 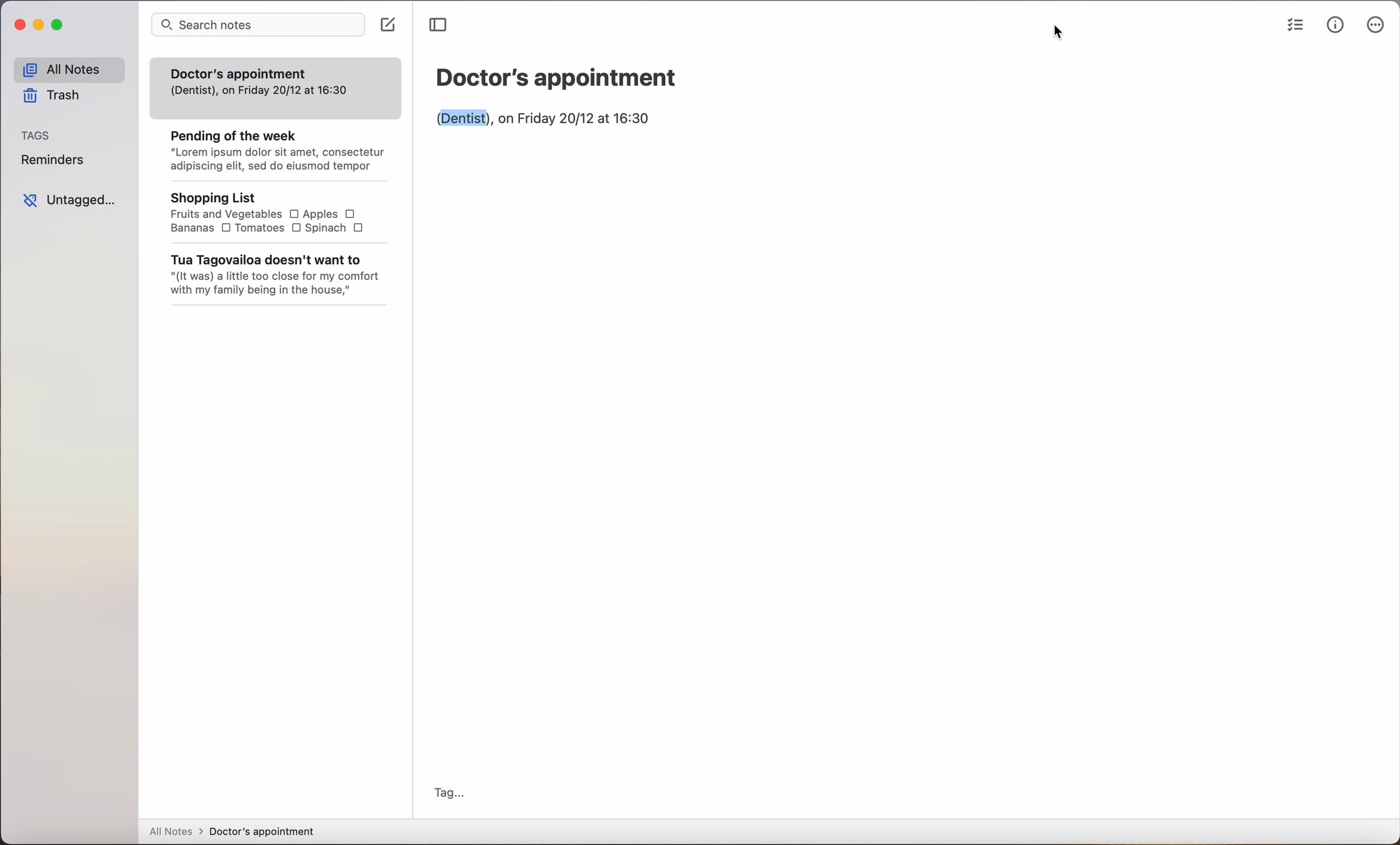 I want to click on reminders, so click(x=54, y=160).